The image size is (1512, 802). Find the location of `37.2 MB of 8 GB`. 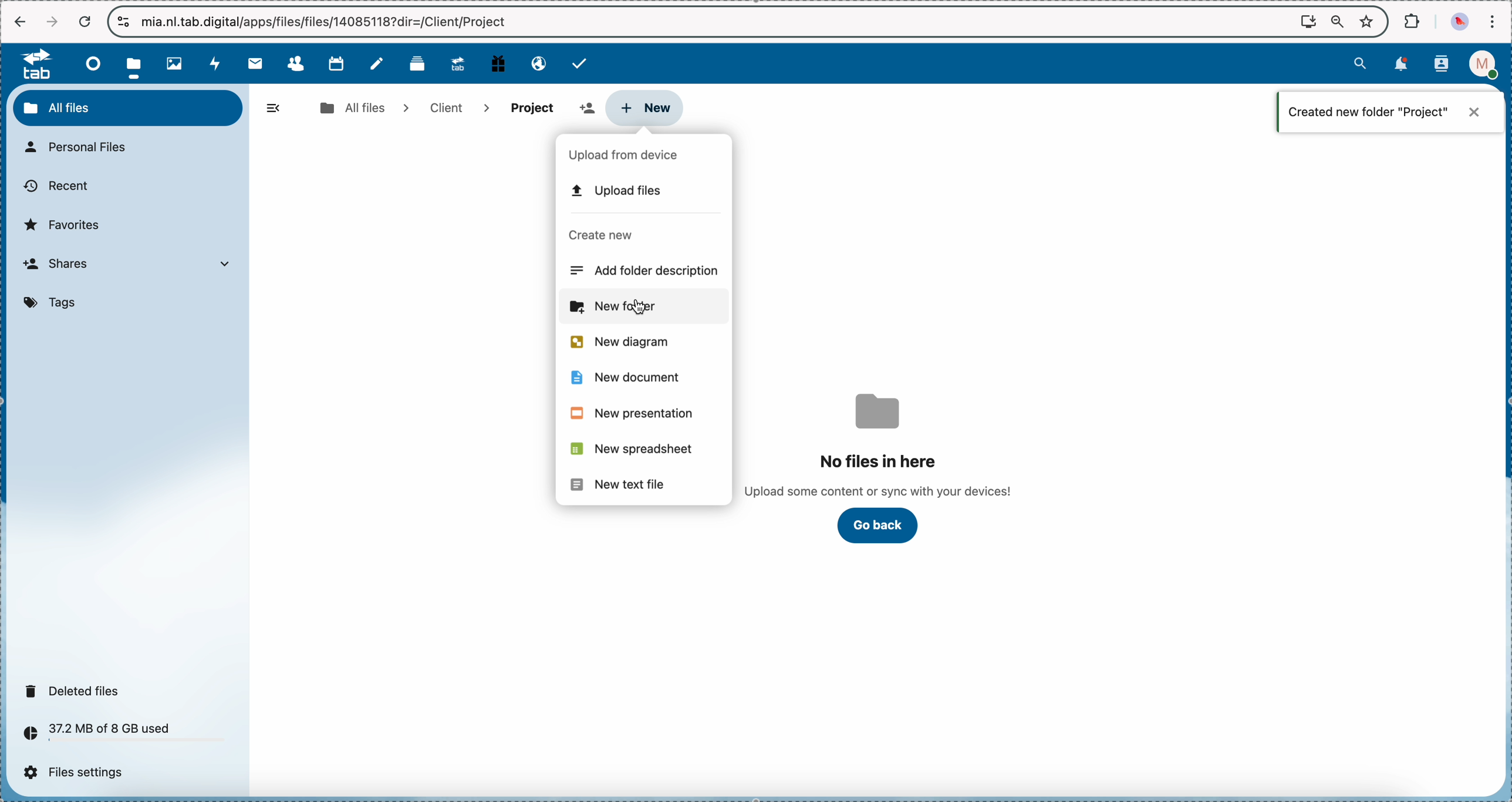

37.2 MB of 8 GB is located at coordinates (93, 735).